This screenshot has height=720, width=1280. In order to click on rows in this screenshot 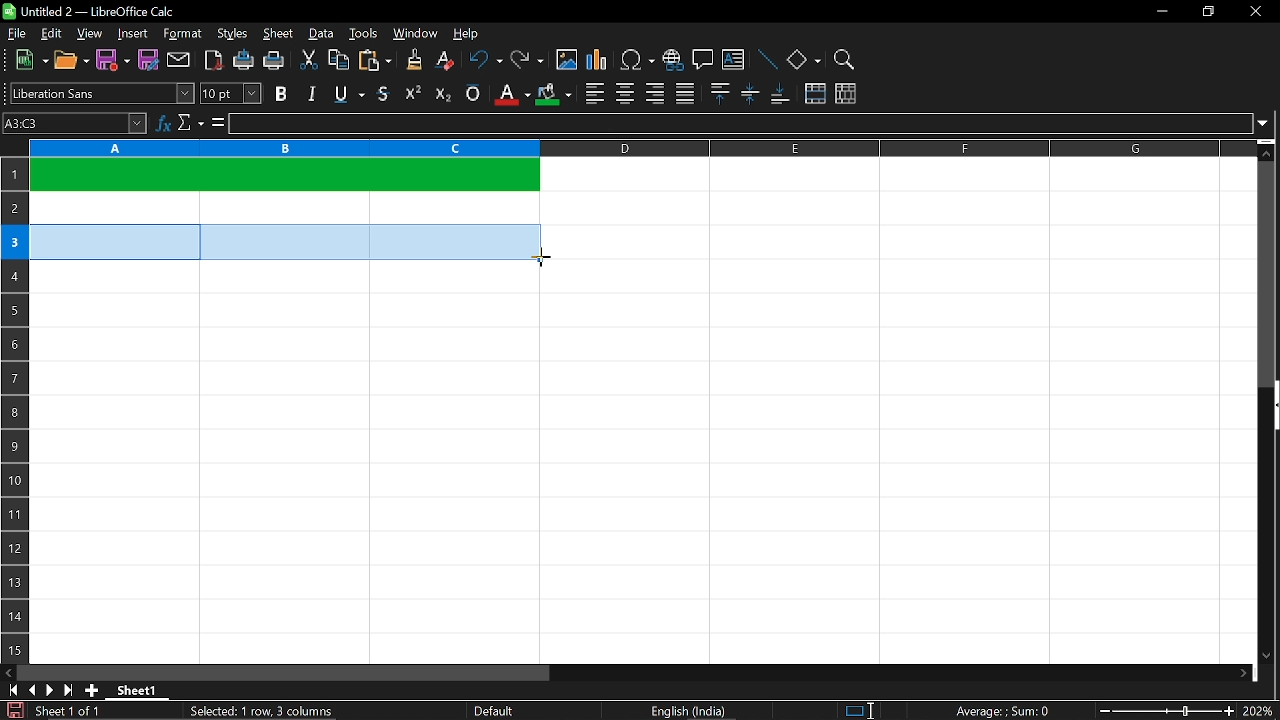, I will do `click(12, 387)`.